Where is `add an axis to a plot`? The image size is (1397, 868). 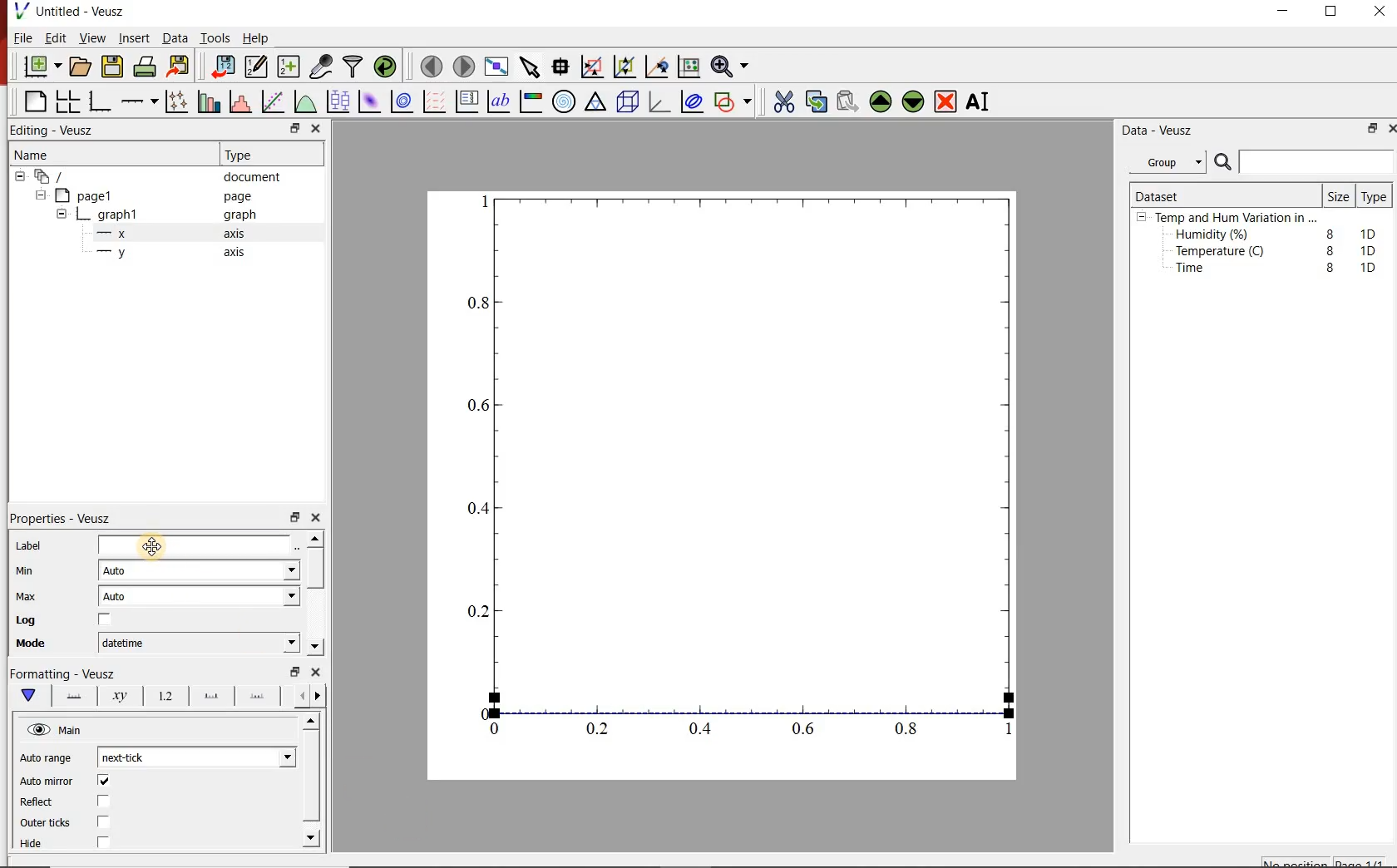
add an axis to a plot is located at coordinates (141, 100).